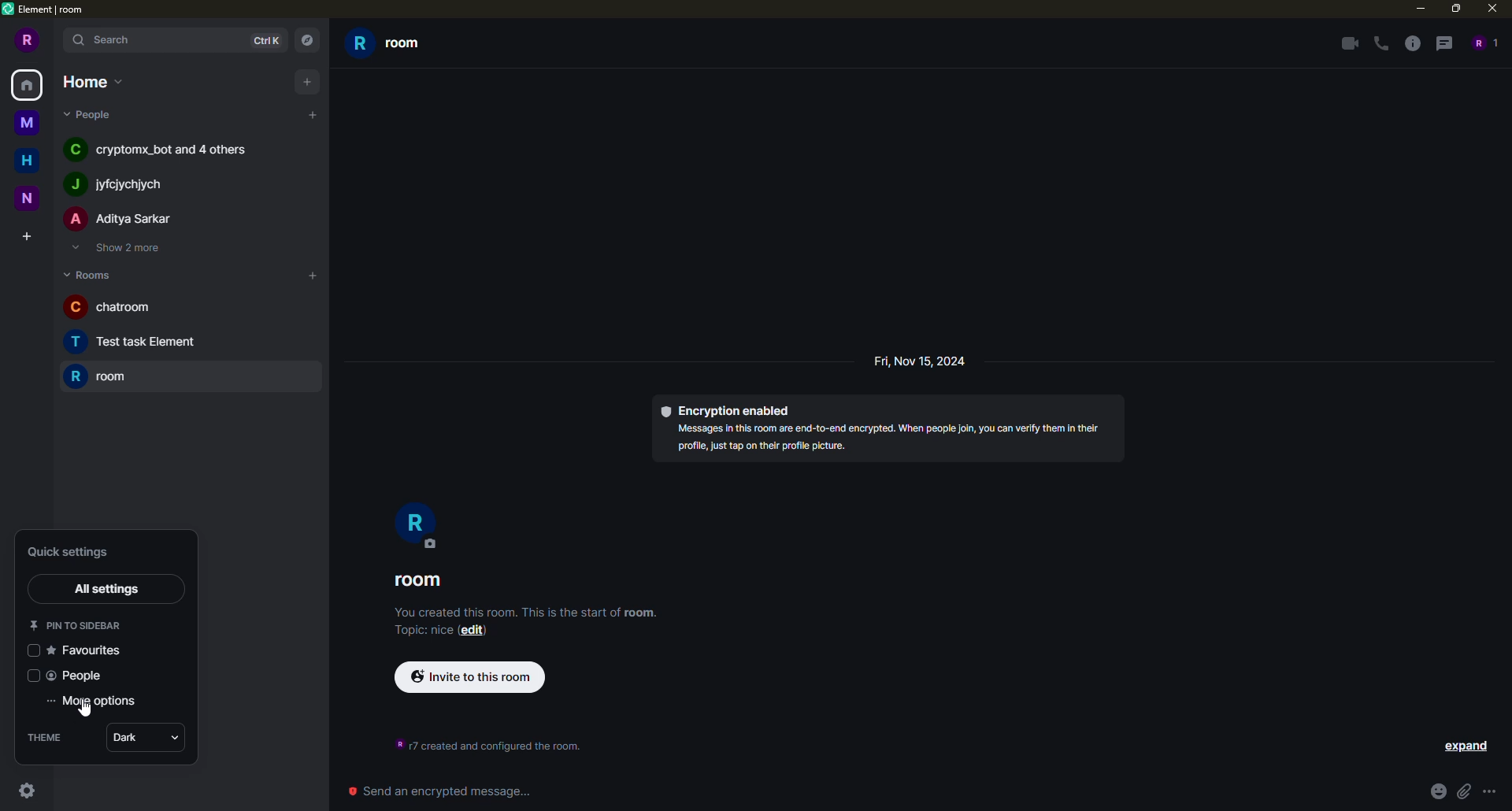 Image resolution: width=1512 pixels, height=811 pixels. I want to click on m, so click(24, 121).